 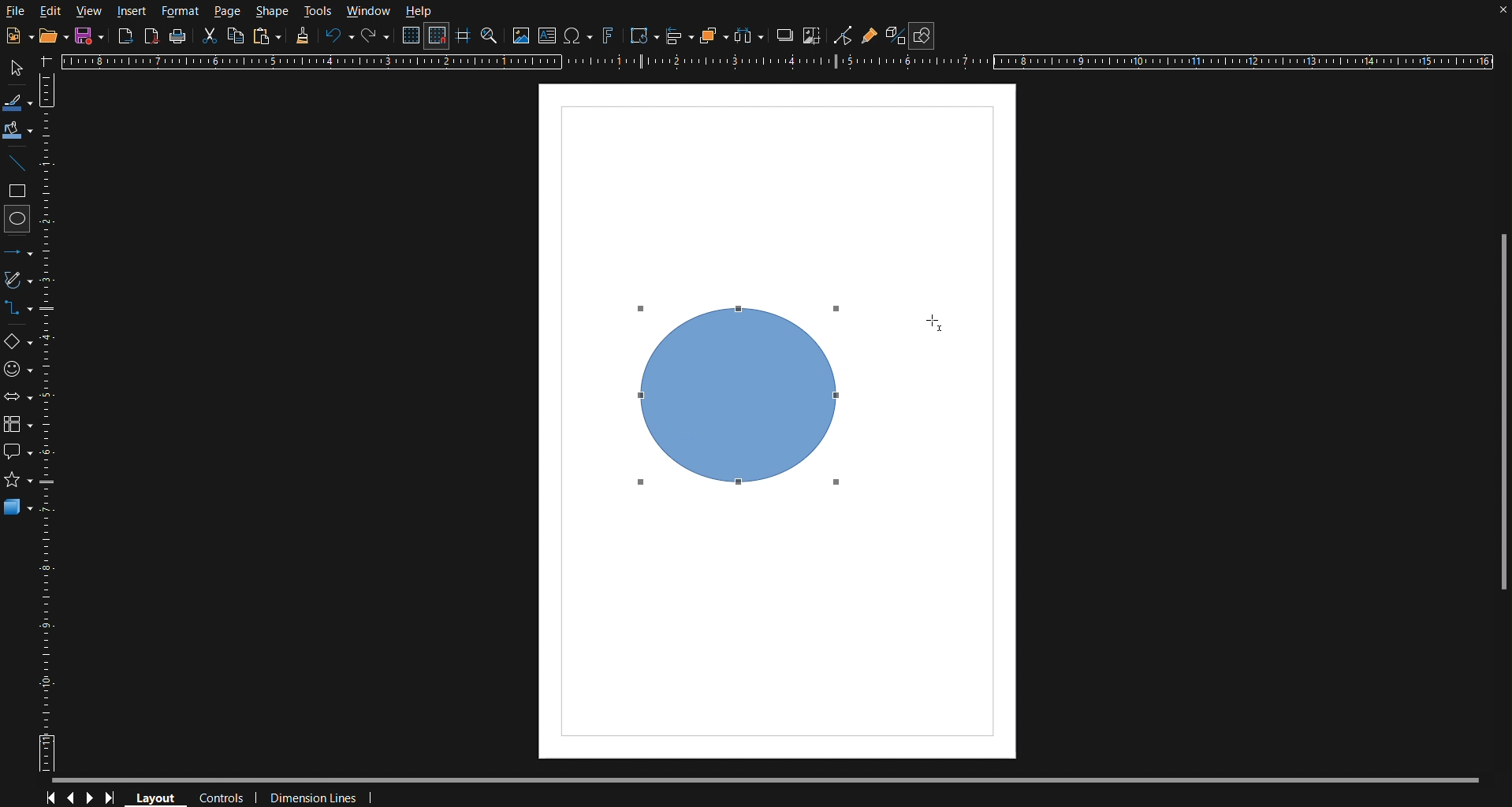 I want to click on Select, so click(x=19, y=67).